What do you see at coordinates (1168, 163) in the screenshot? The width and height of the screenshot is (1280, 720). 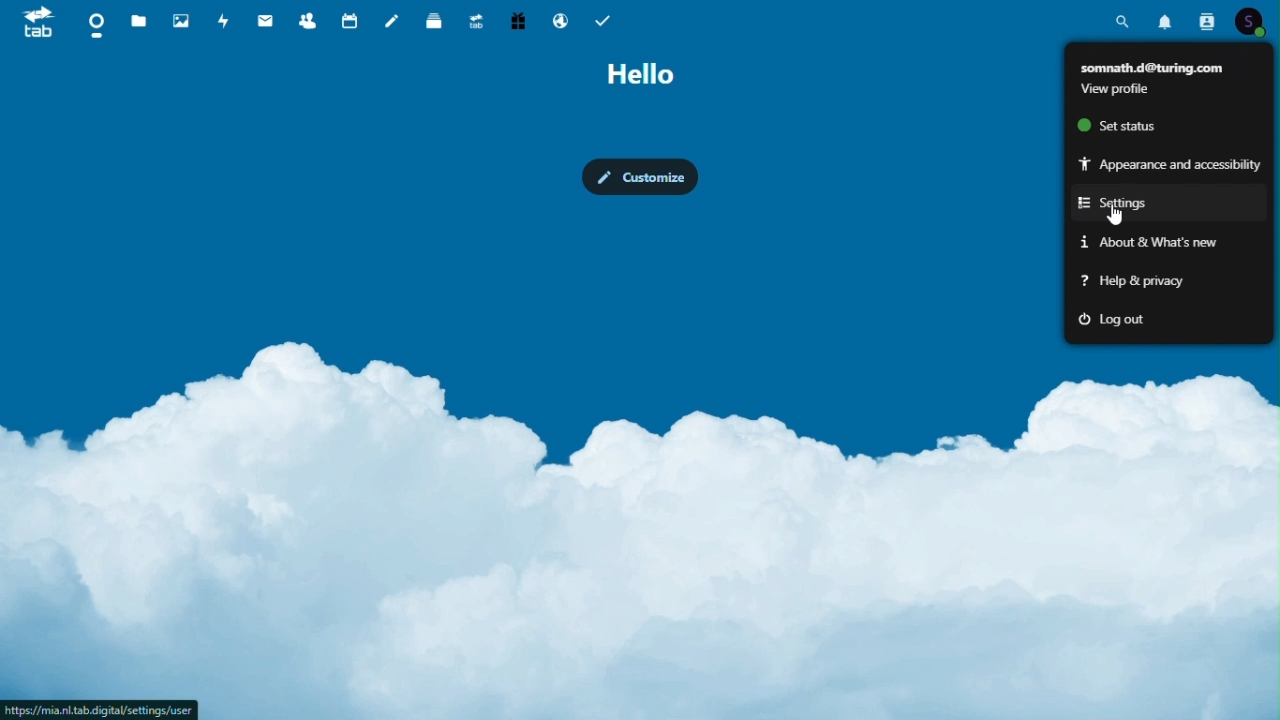 I see `appearance and accessibility` at bounding box center [1168, 163].